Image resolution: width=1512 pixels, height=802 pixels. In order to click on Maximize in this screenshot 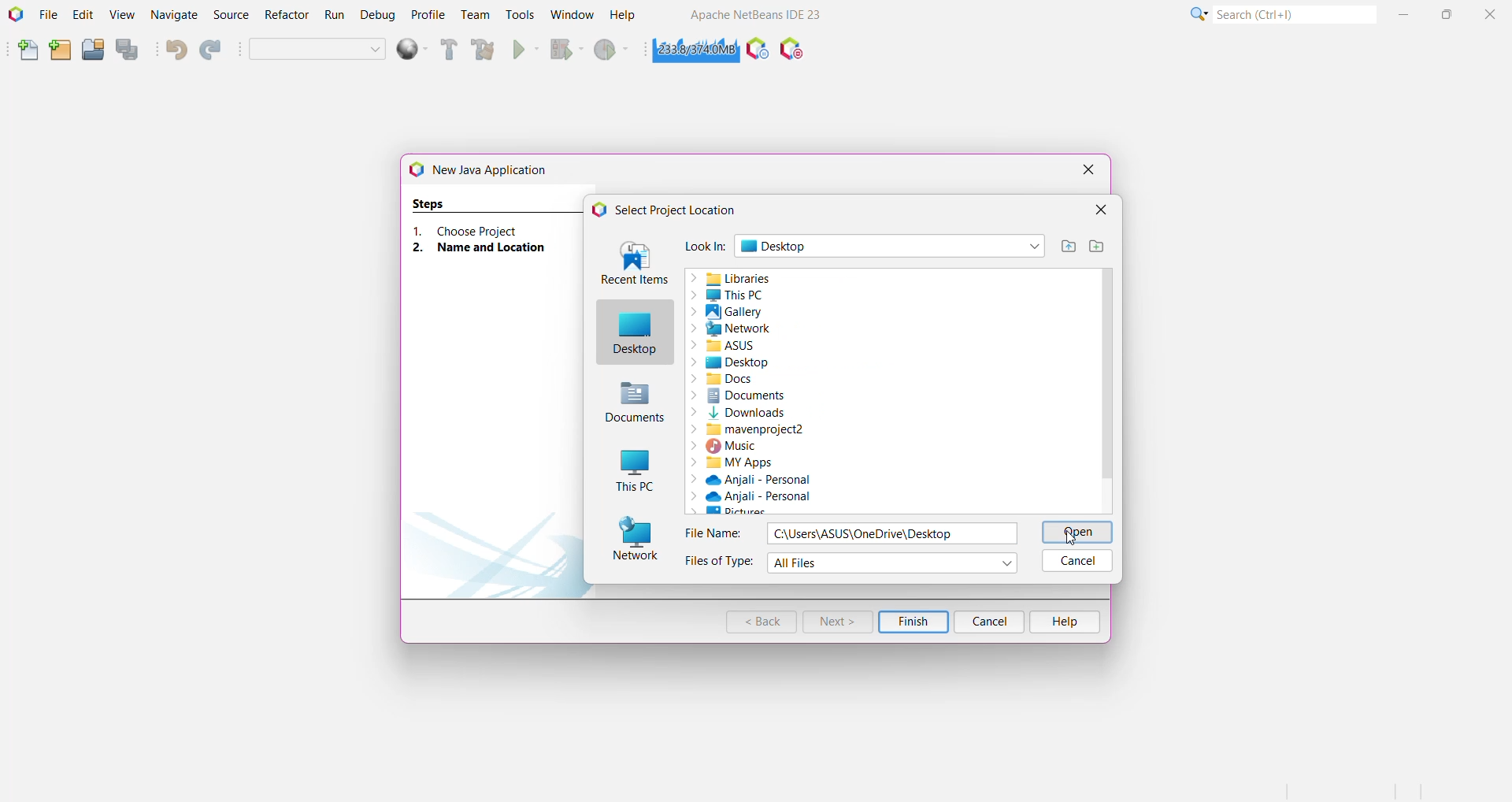, I will do `click(1448, 15)`.